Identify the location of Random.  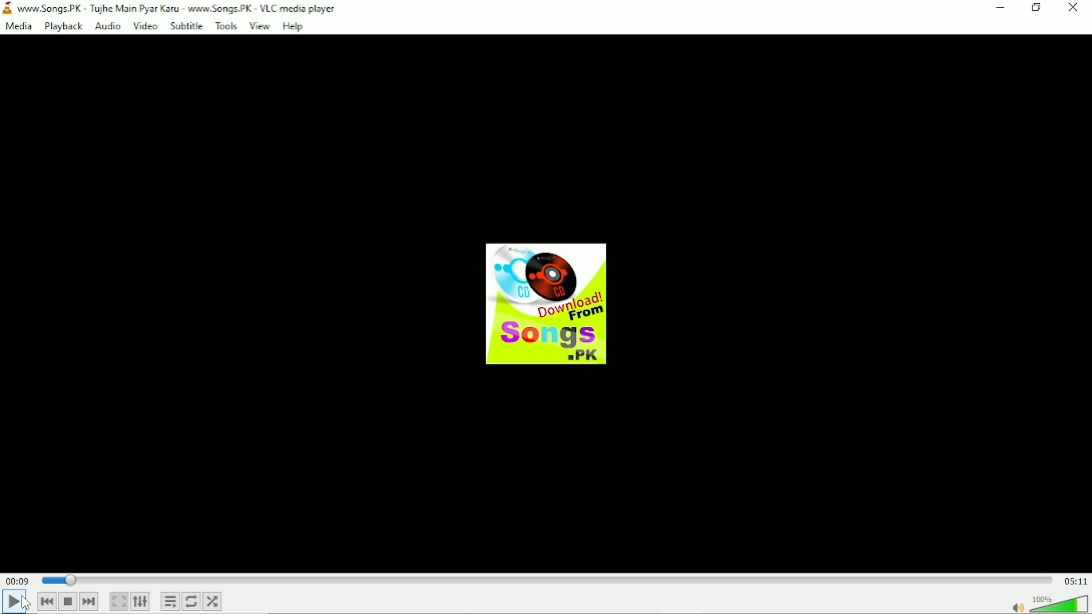
(213, 602).